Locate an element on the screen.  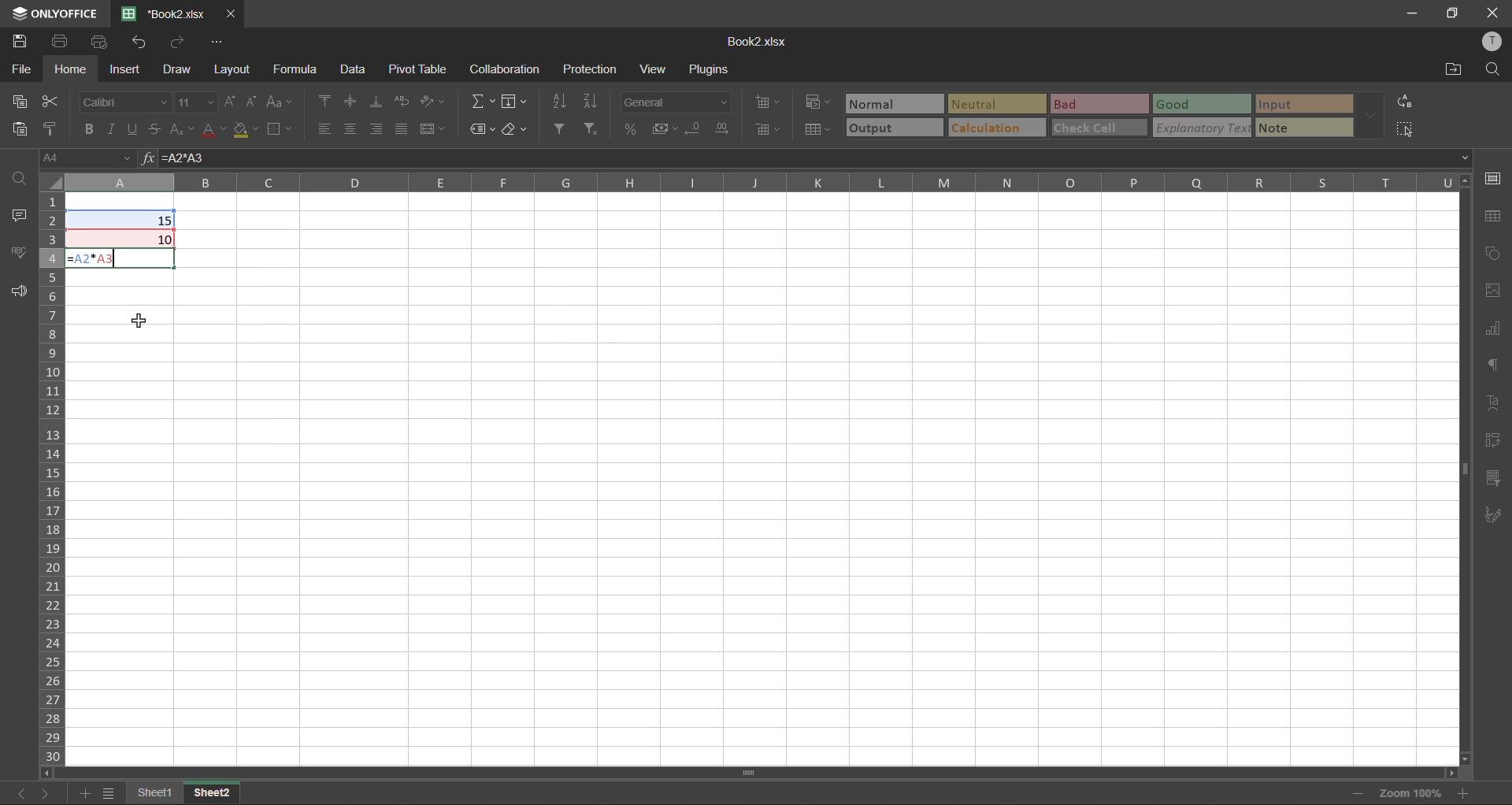
sheet list is located at coordinates (108, 794).